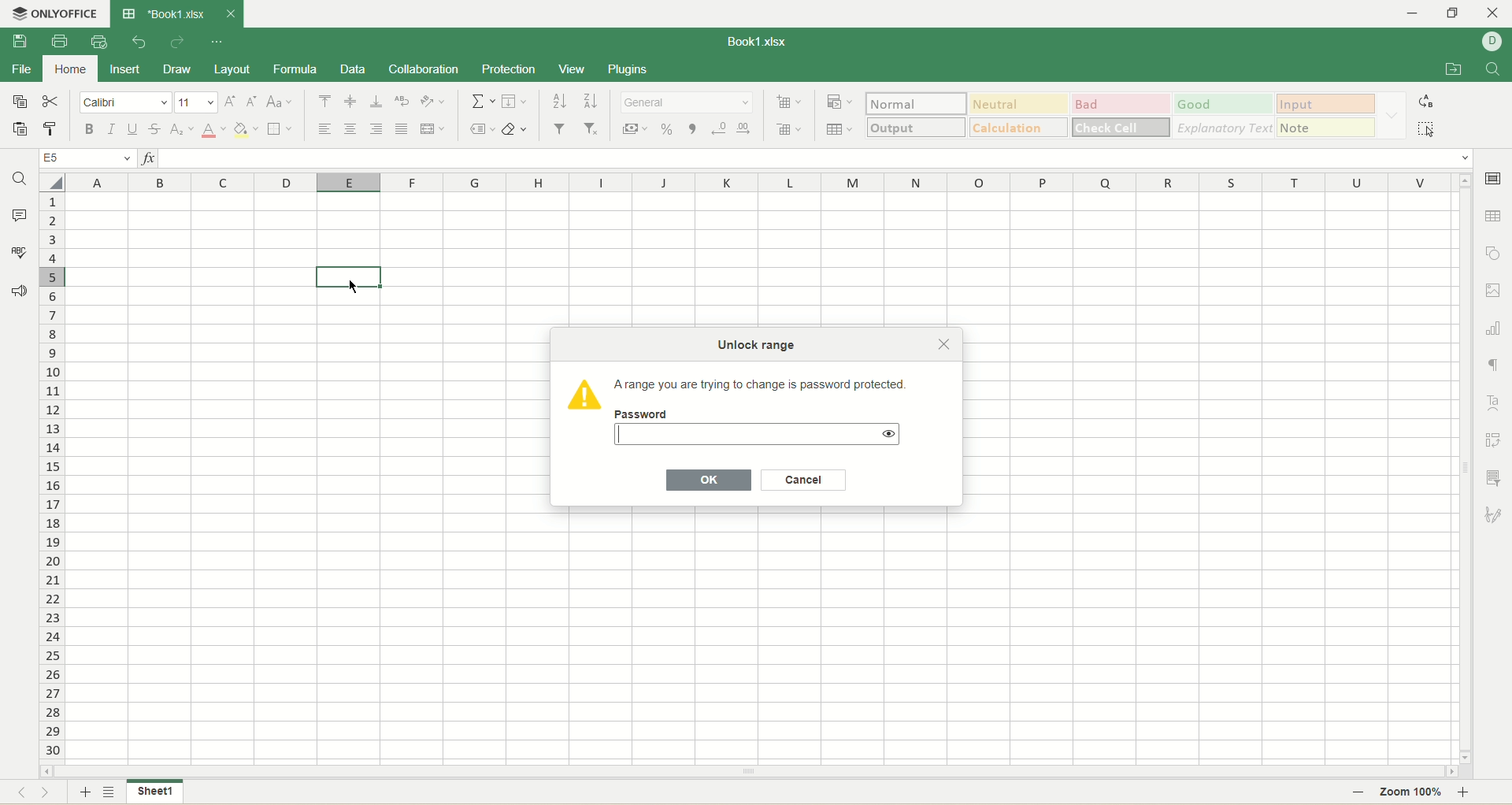  Describe the element at coordinates (223, 43) in the screenshot. I see `quick settings` at that location.